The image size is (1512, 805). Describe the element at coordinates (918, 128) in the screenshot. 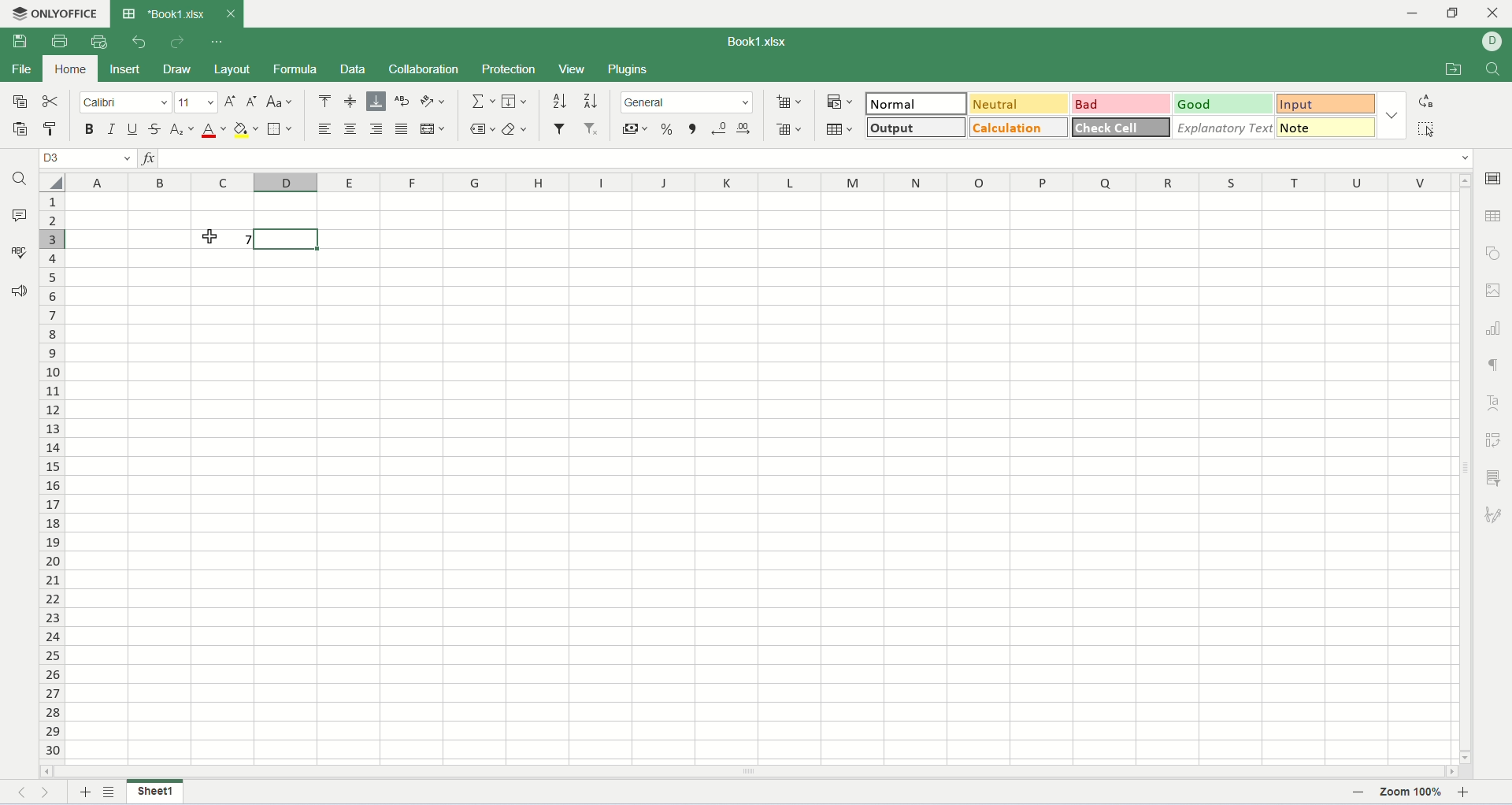

I see `output` at that location.